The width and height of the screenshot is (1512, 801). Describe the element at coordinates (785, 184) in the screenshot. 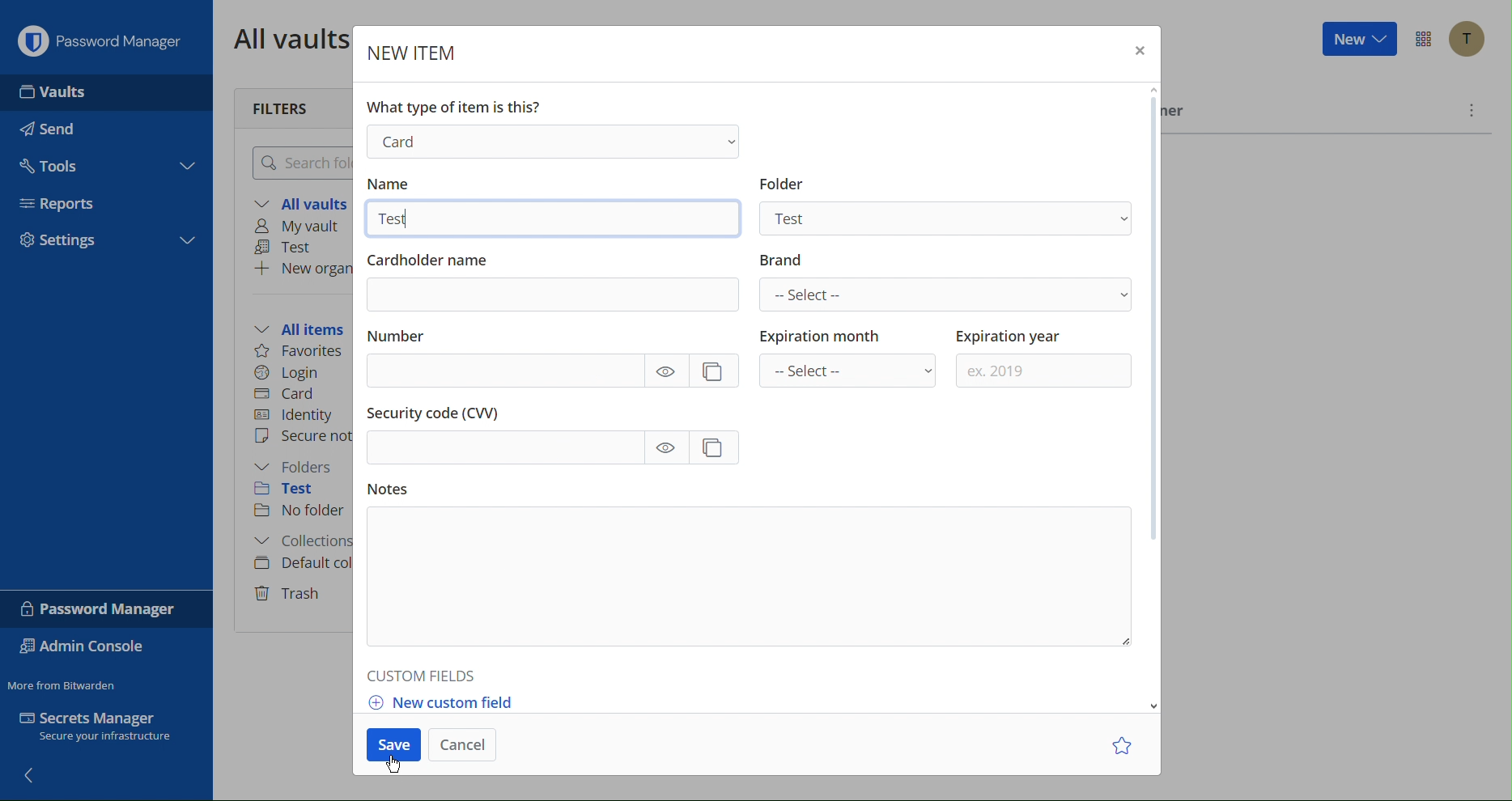

I see `` at that location.